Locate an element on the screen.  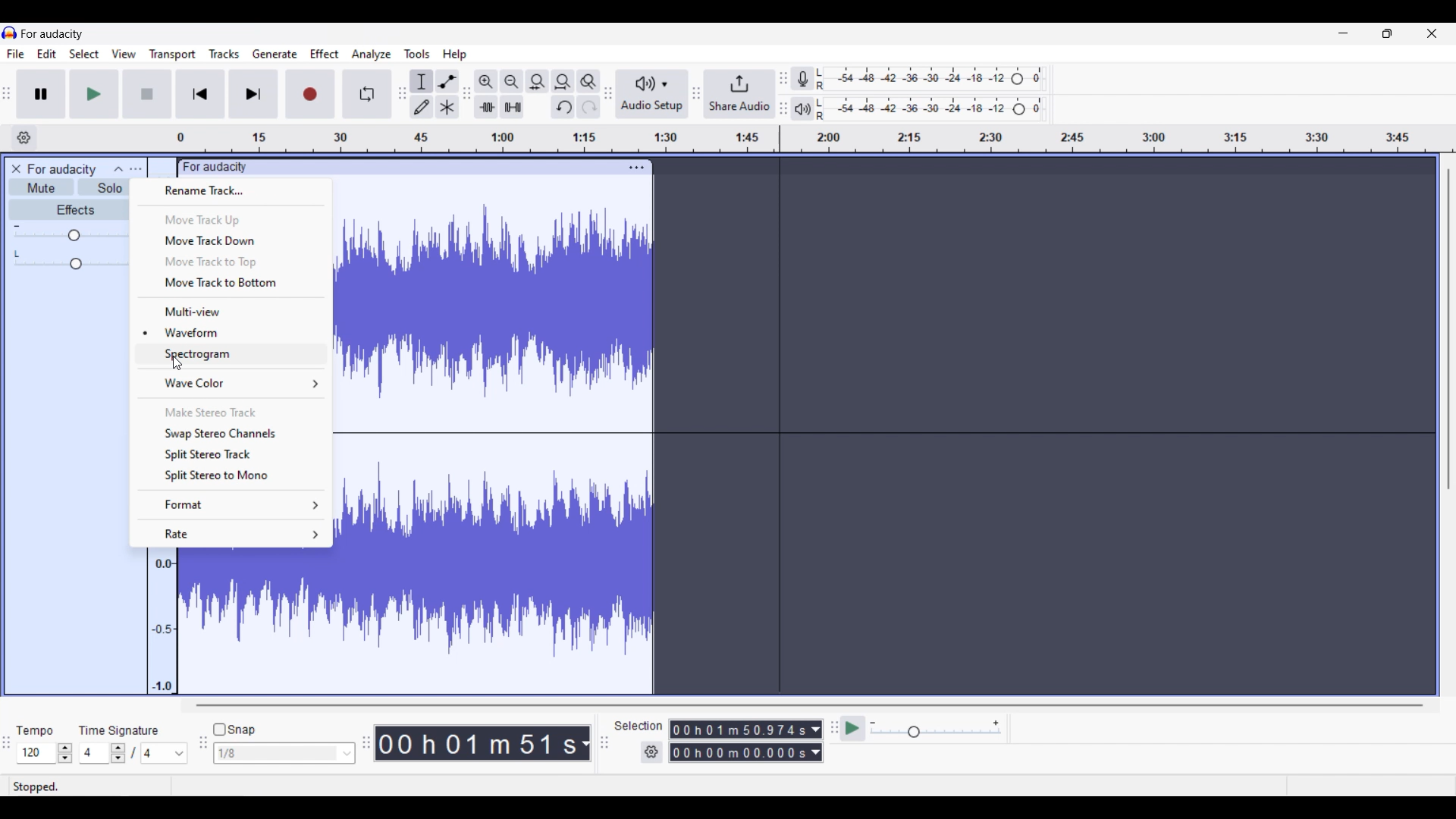
Share audio is located at coordinates (741, 94).